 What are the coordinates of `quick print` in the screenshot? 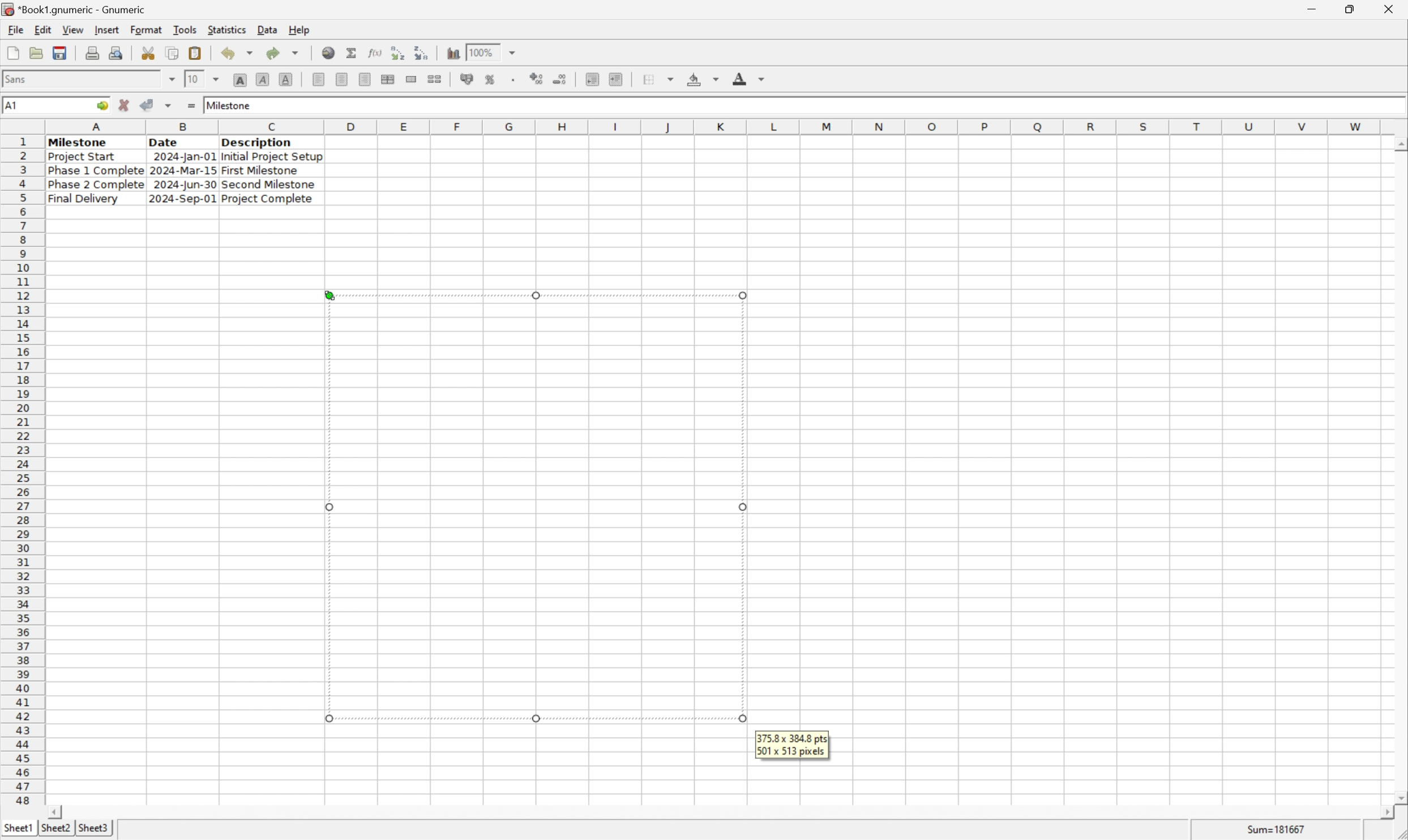 It's located at (117, 53).